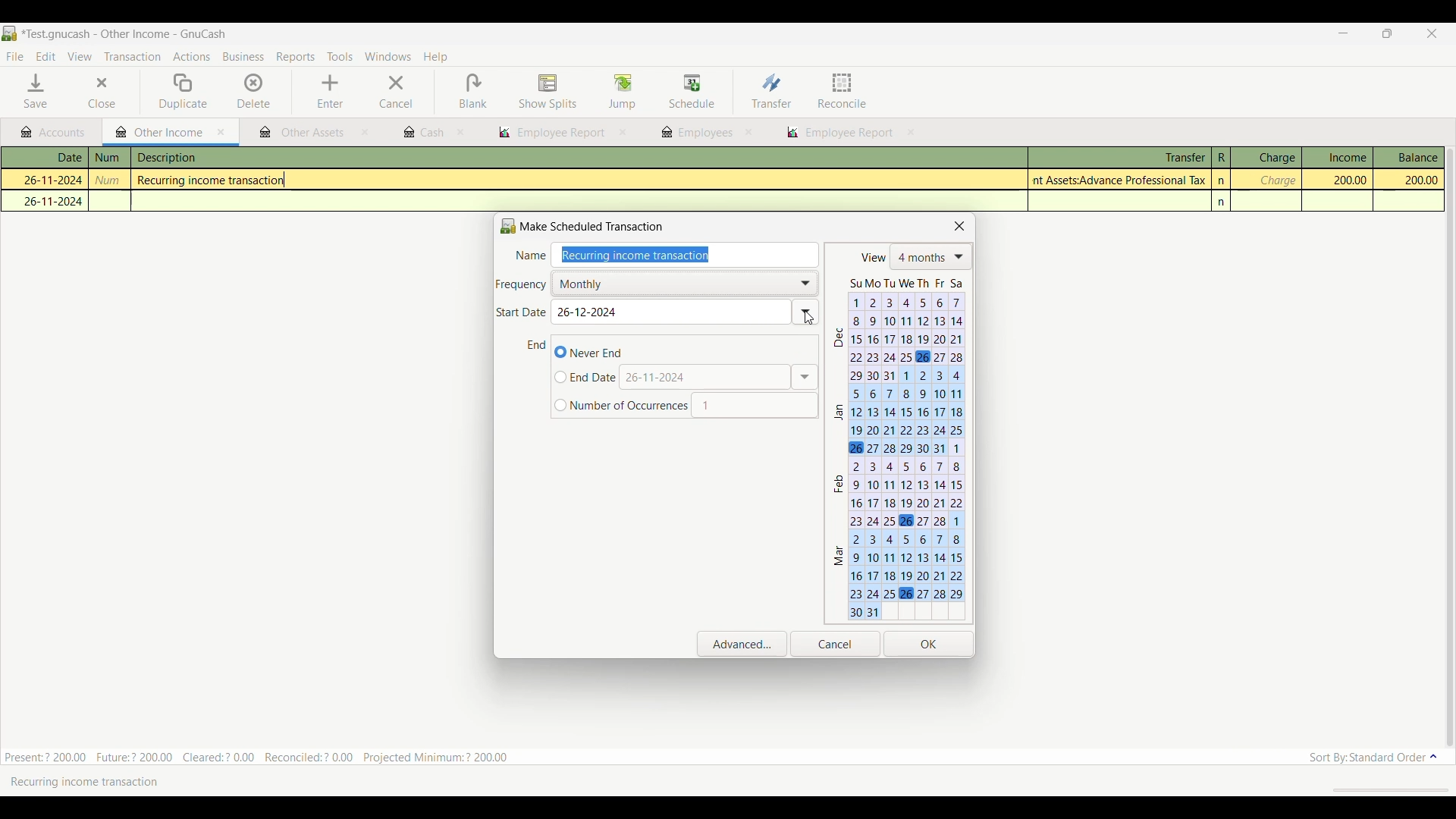 The image size is (1456, 819). I want to click on Reports menu, so click(297, 57).